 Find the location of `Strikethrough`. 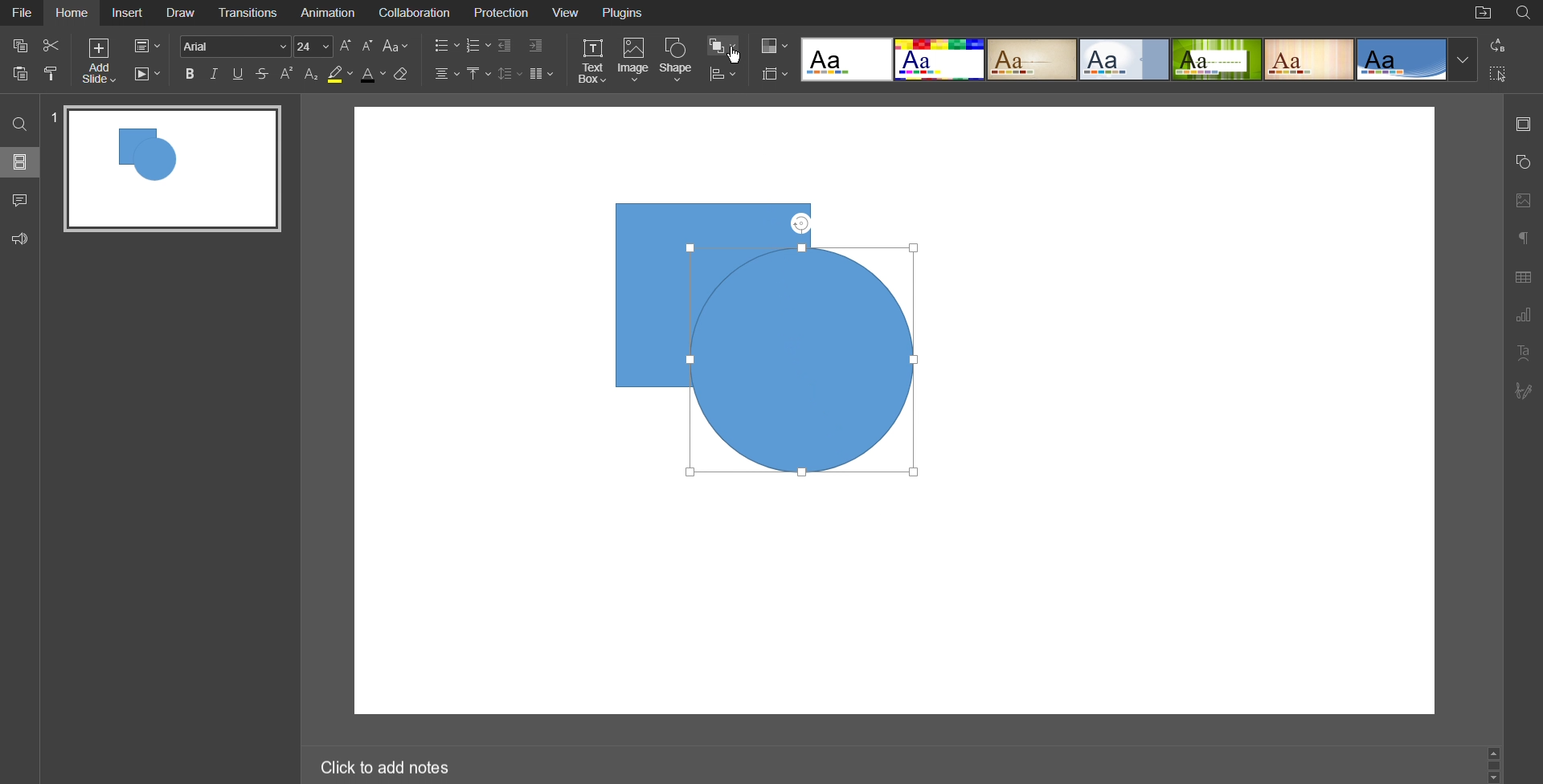

Strikethrough is located at coordinates (262, 74).